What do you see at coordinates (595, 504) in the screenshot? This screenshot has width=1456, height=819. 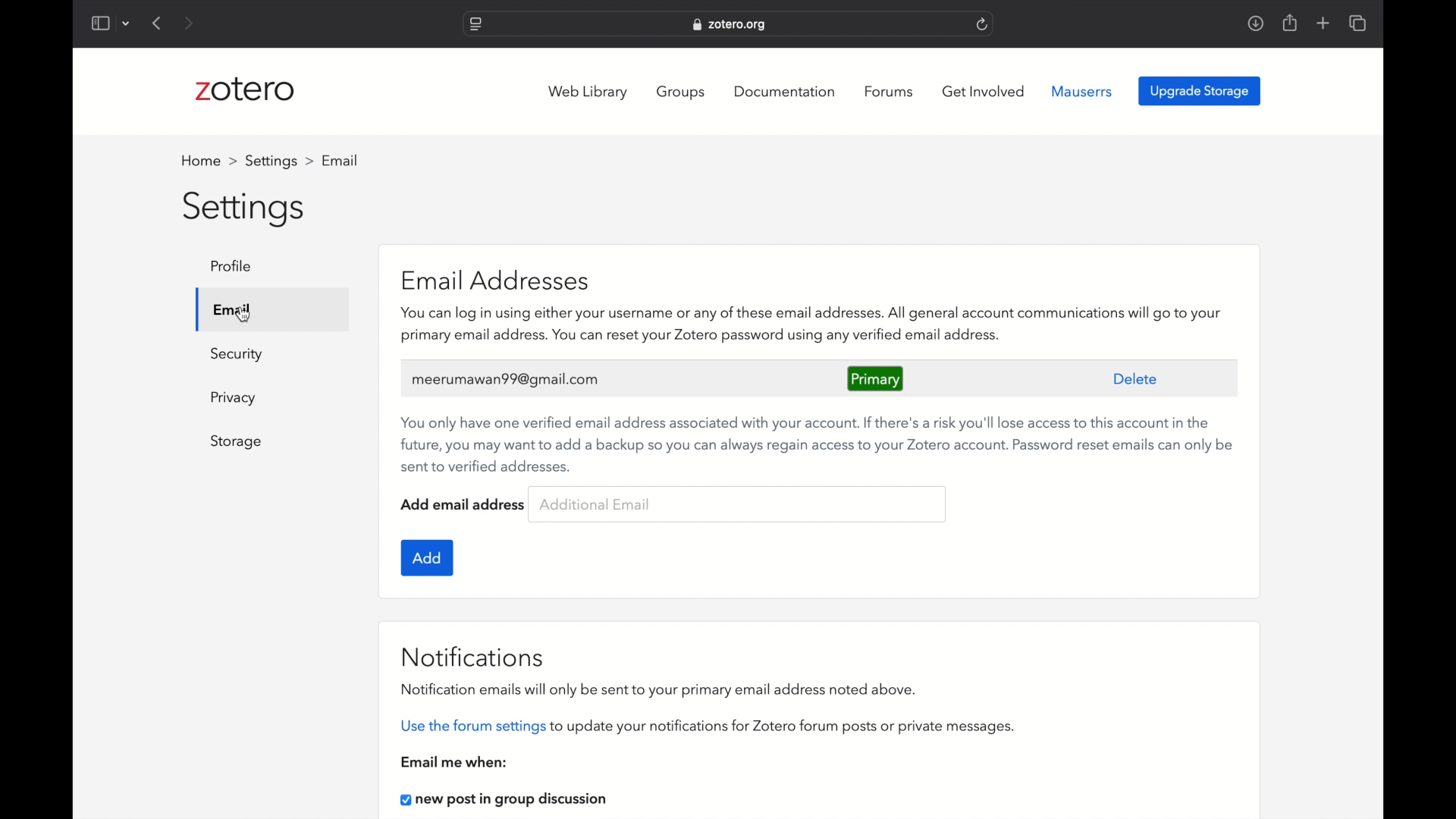 I see `additional email` at bounding box center [595, 504].